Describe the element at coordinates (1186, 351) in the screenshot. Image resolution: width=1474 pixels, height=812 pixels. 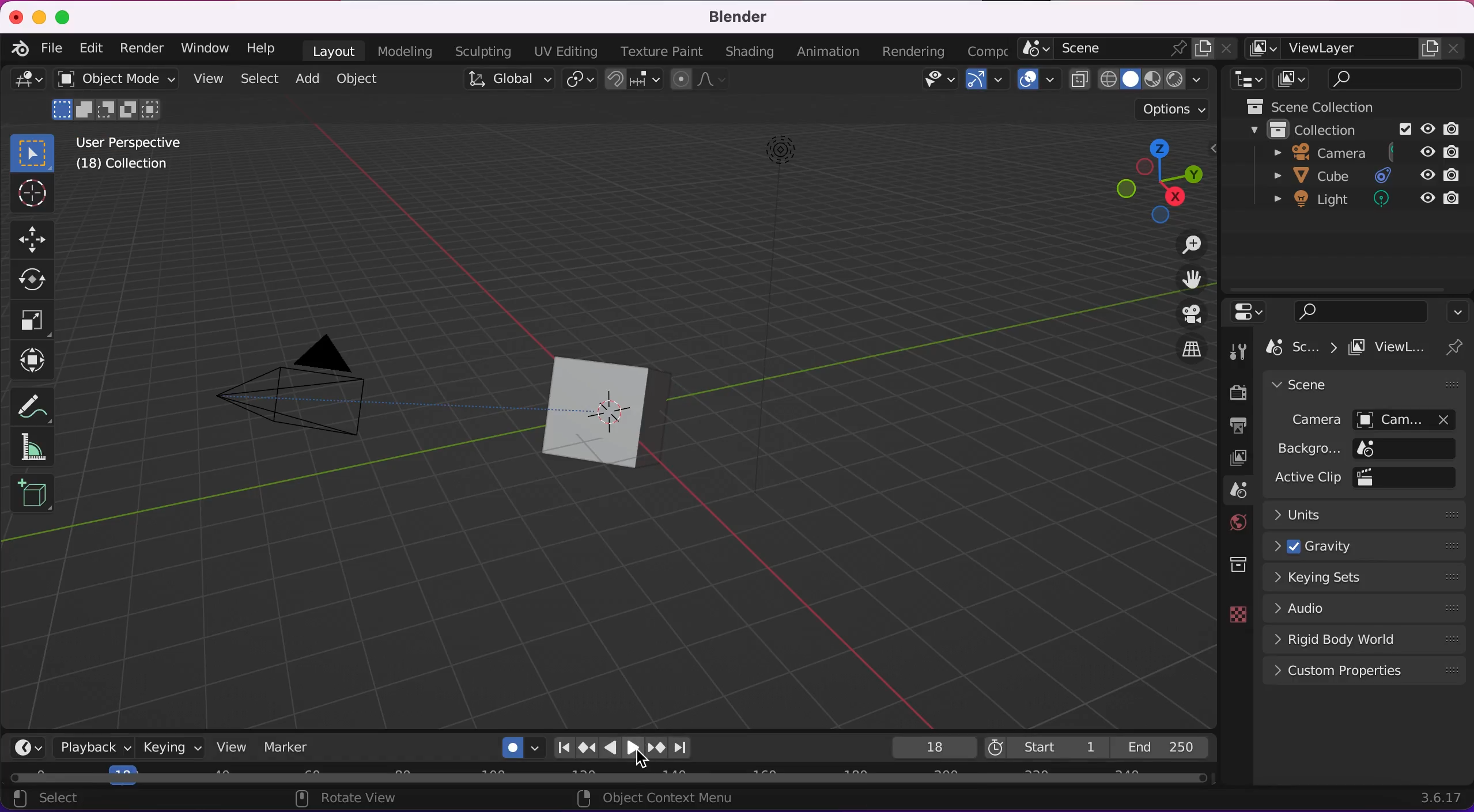
I see `switch the current view from perspective` at that location.